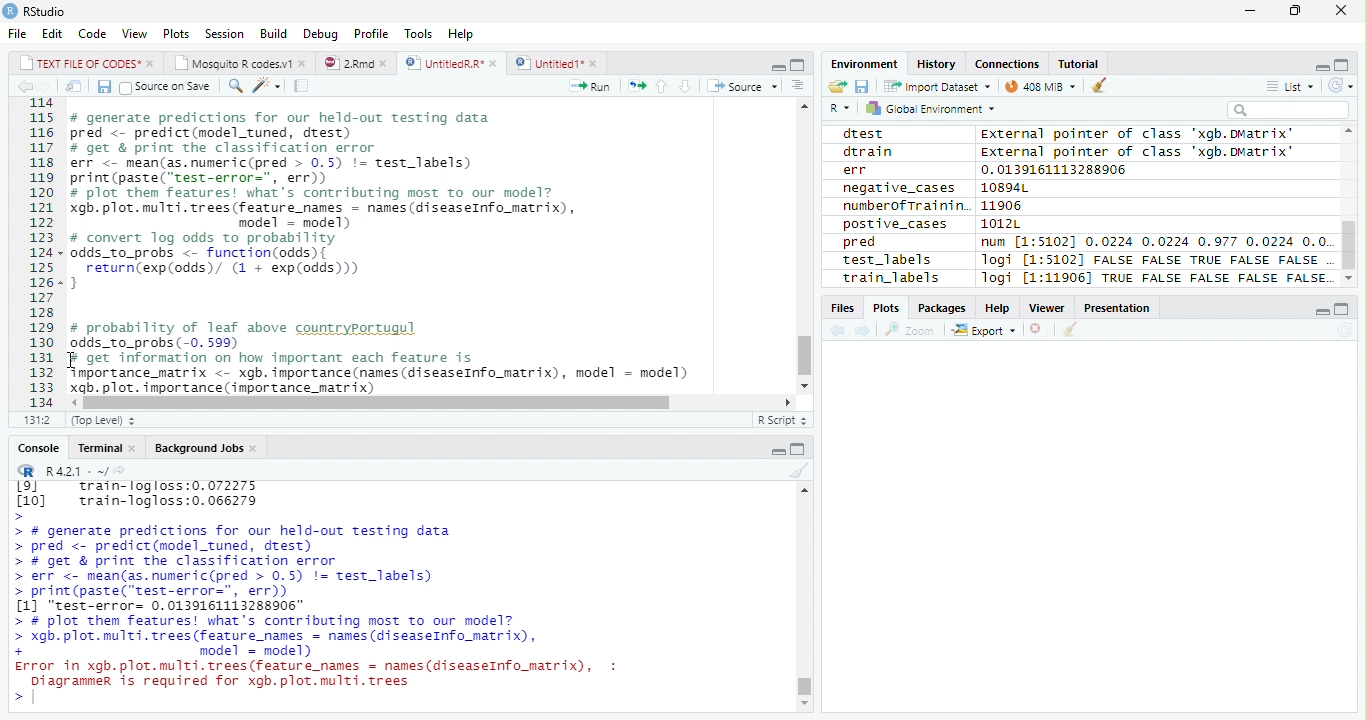 The width and height of the screenshot is (1366, 720). Describe the element at coordinates (837, 85) in the screenshot. I see `Open folder` at that location.